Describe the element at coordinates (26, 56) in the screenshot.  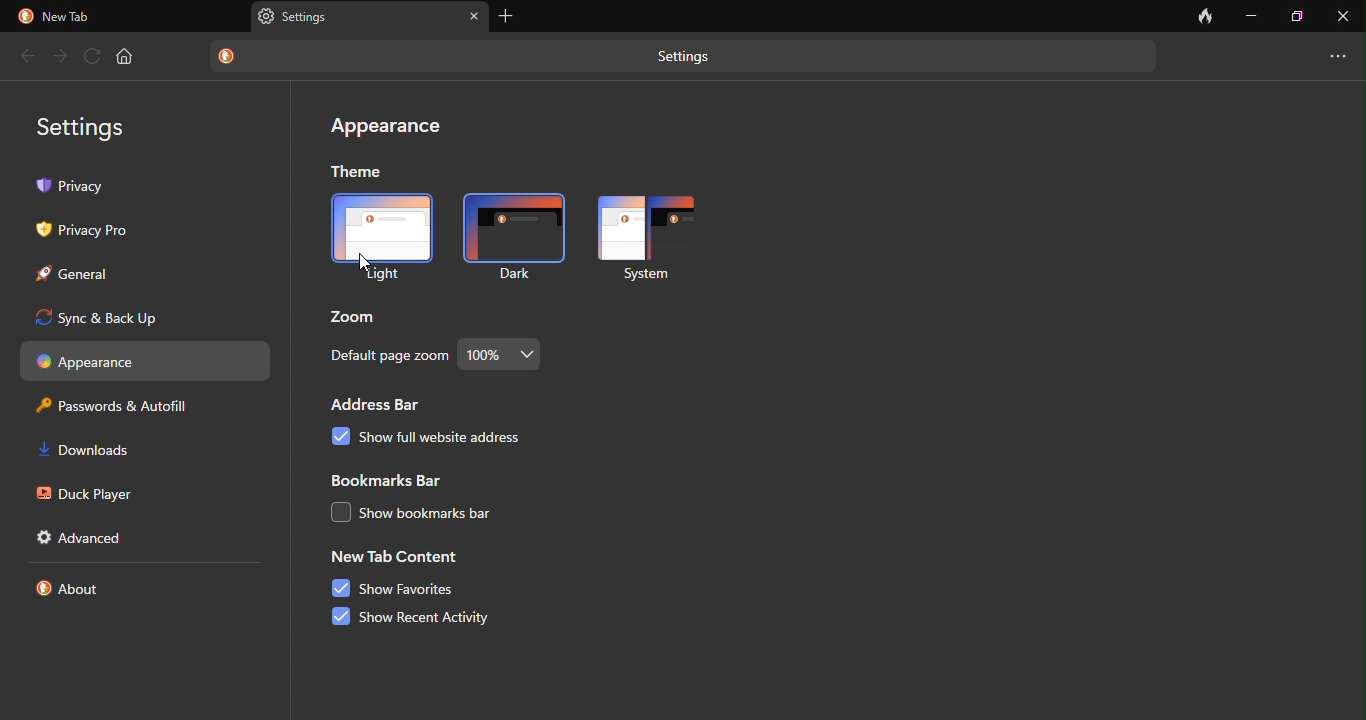
I see `back` at that location.